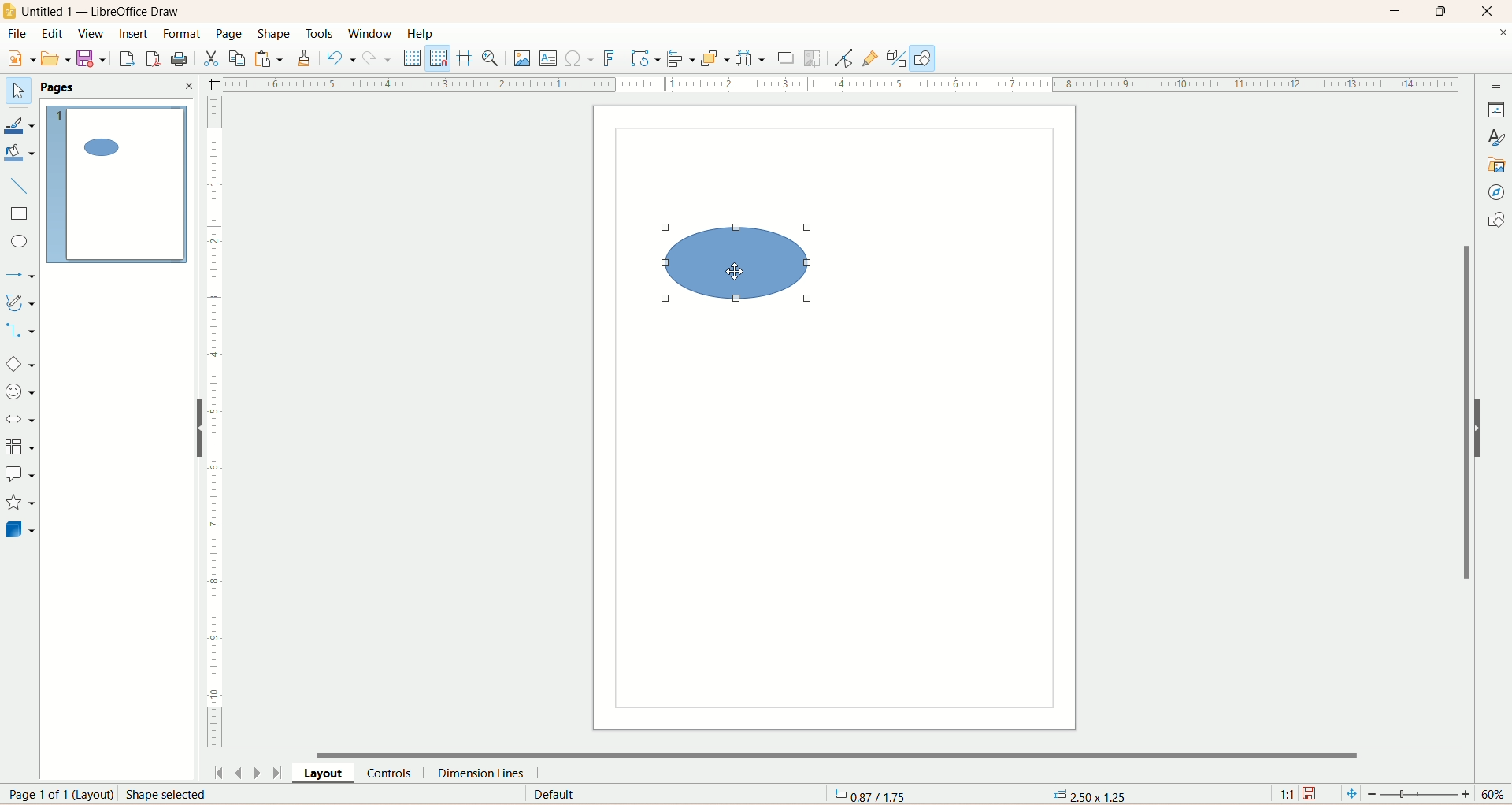 This screenshot has height=805, width=1512. I want to click on coordinates, so click(876, 796).